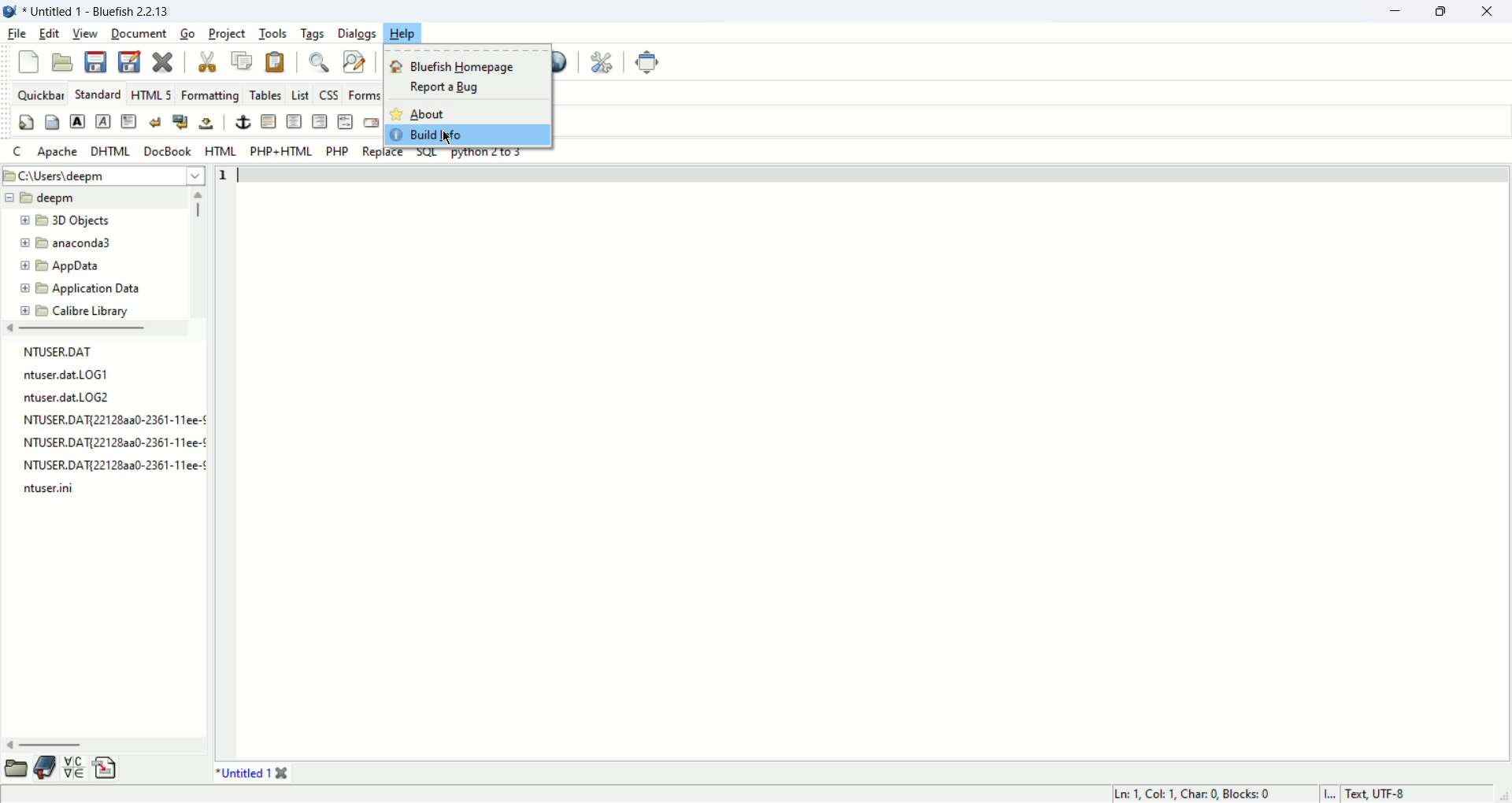 The width and height of the screenshot is (1512, 803). What do you see at coordinates (156, 123) in the screenshot?
I see `break` at bounding box center [156, 123].